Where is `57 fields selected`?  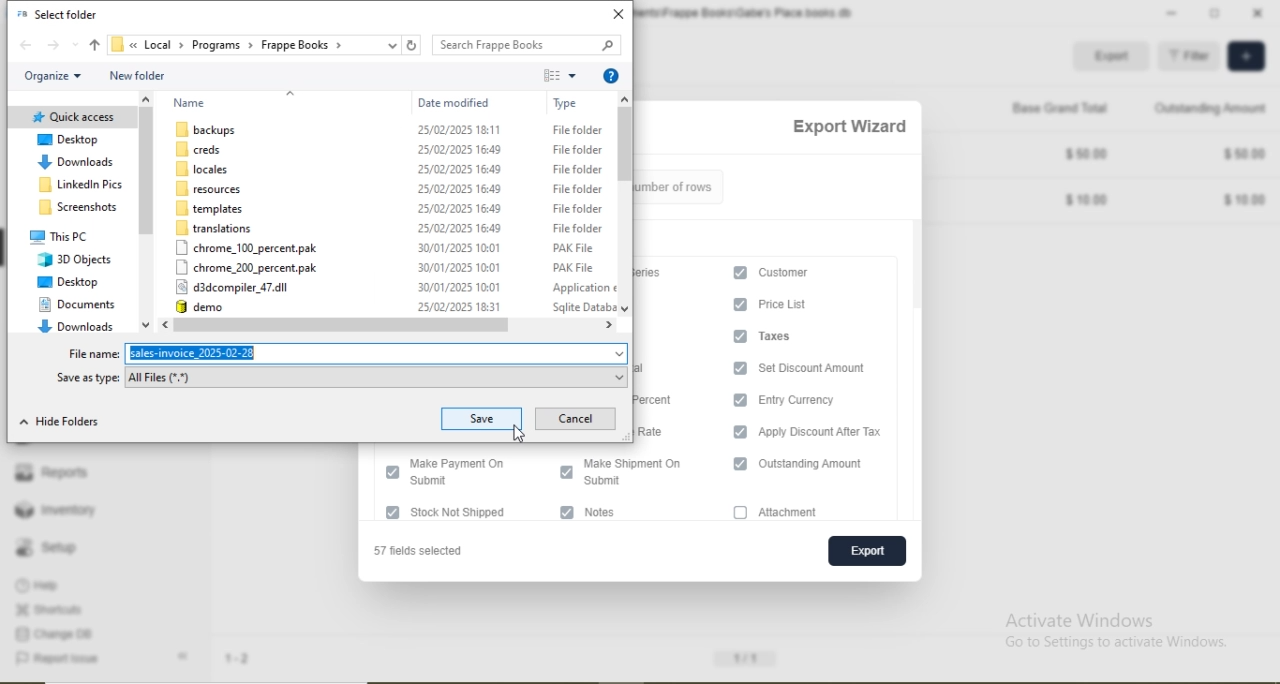
57 fields selected is located at coordinates (427, 552).